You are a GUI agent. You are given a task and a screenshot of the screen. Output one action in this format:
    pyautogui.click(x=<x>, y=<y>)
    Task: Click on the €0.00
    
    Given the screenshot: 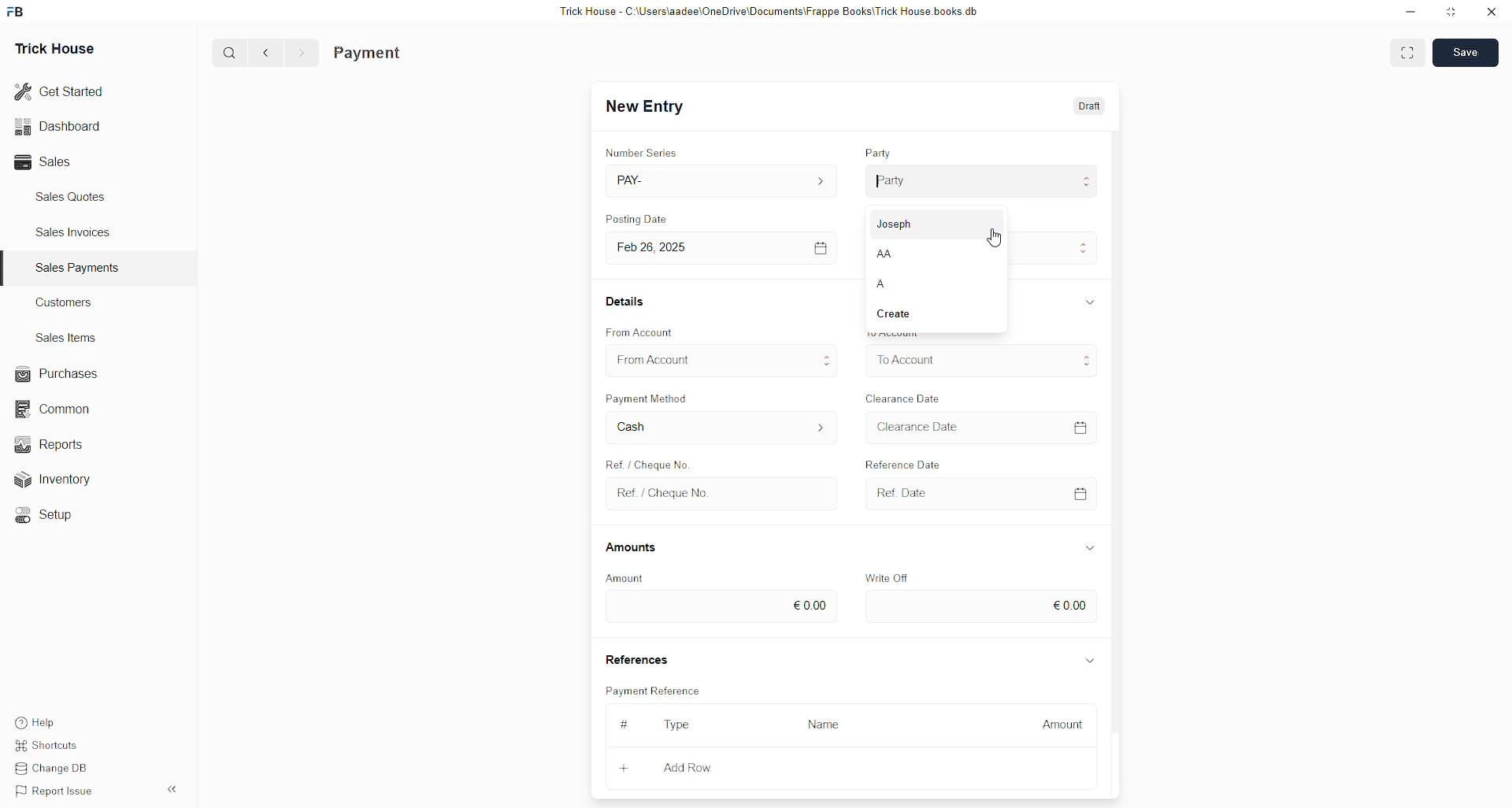 What is the action you would take?
    pyautogui.click(x=982, y=606)
    